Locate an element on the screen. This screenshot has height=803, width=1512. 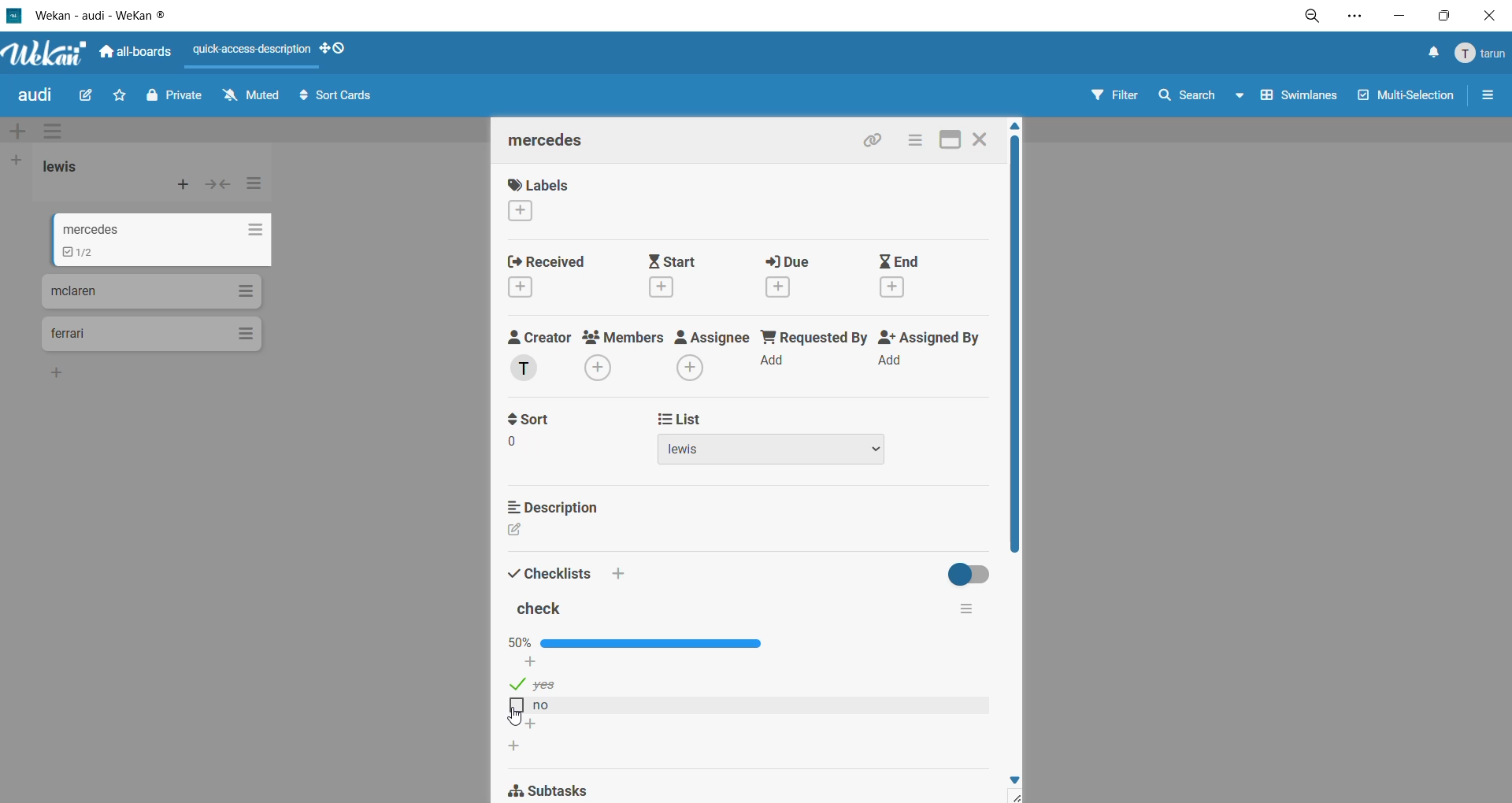
list actions is located at coordinates (260, 185).